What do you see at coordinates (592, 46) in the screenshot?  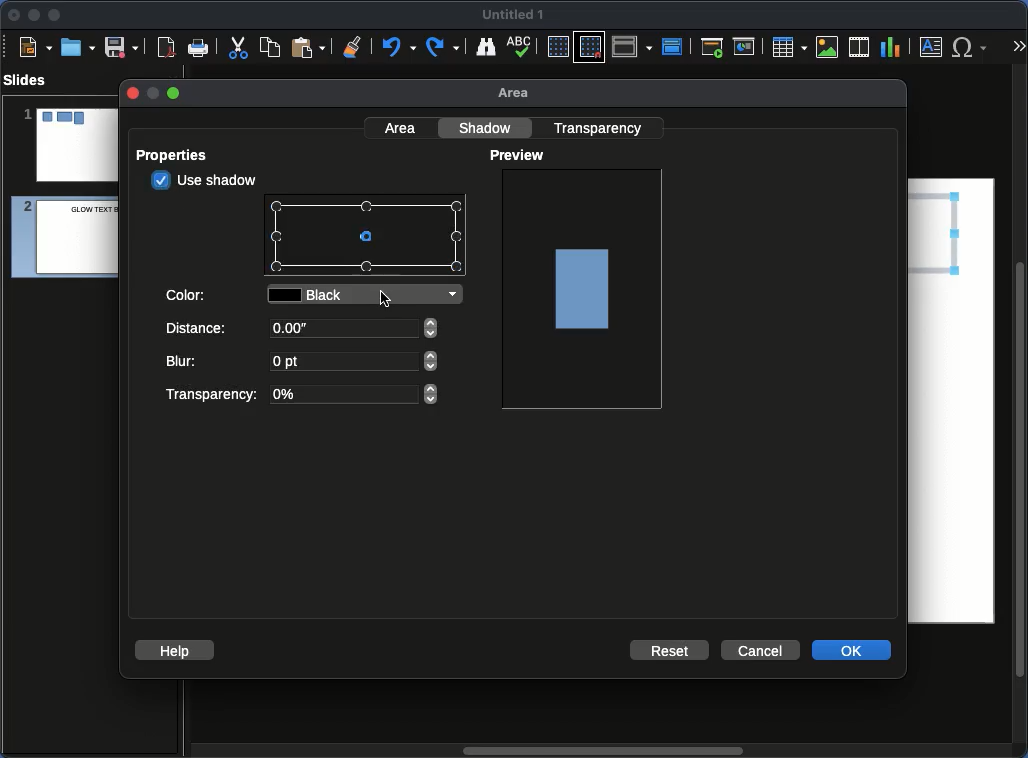 I see `Snap to grid` at bounding box center [592, 46].